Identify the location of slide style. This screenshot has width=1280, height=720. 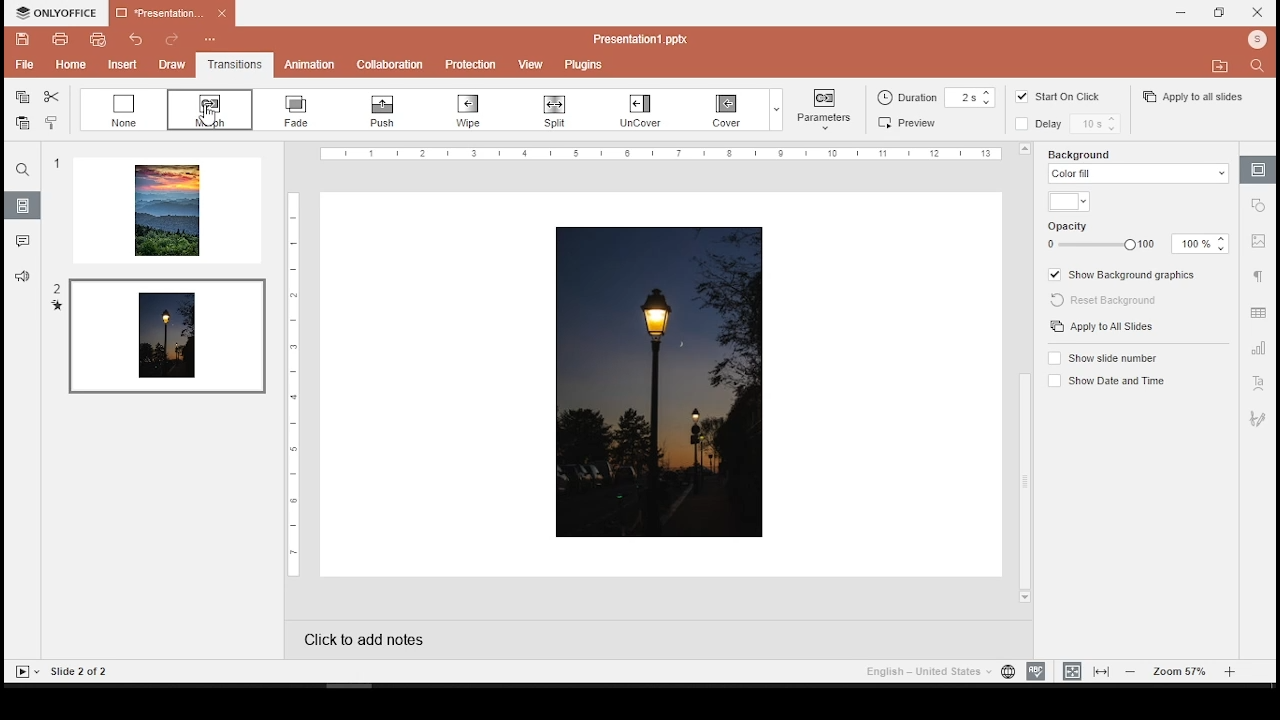
(1078, 127).